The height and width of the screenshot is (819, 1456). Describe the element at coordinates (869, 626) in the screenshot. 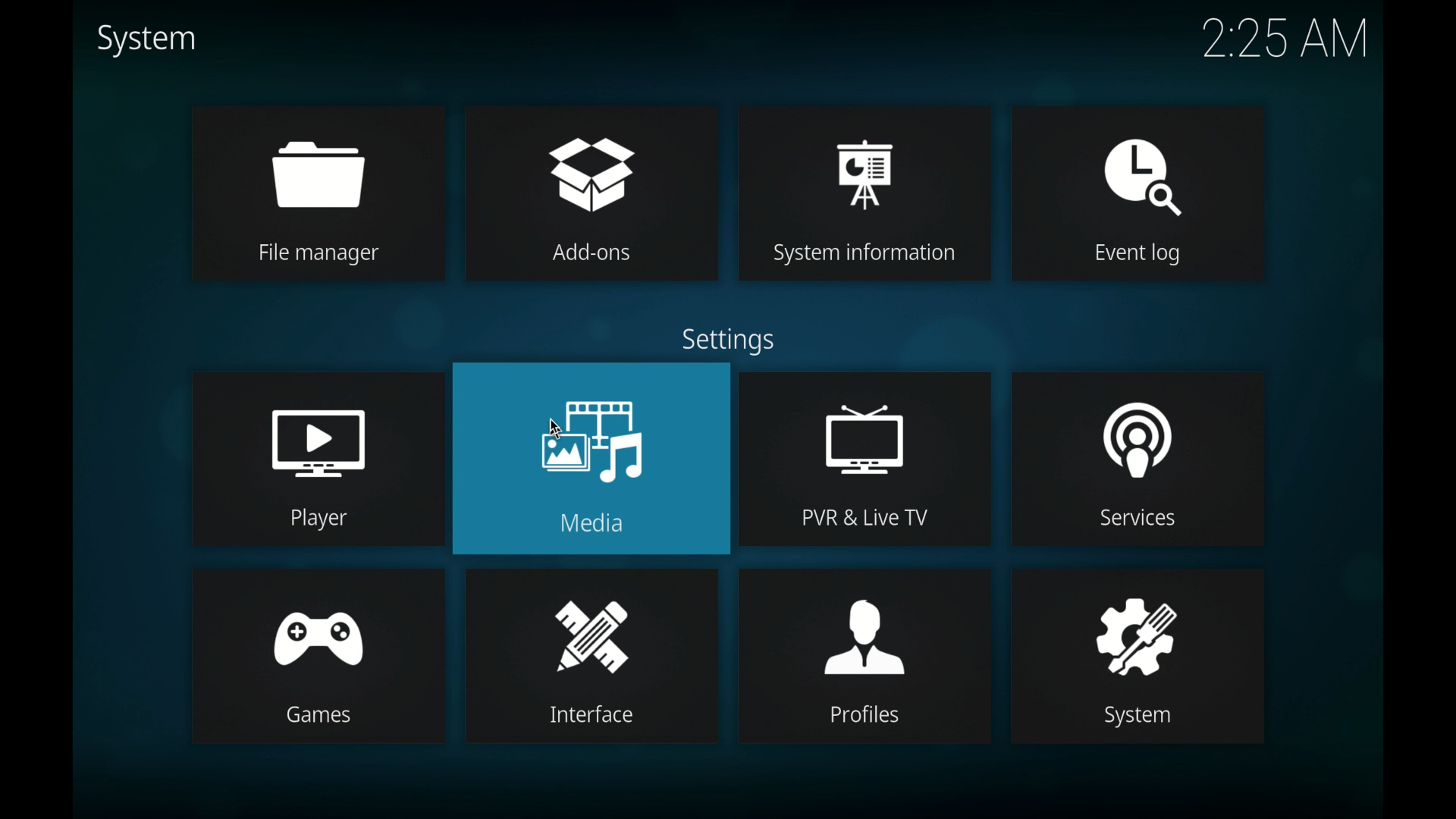

I see `profiles` at that location.